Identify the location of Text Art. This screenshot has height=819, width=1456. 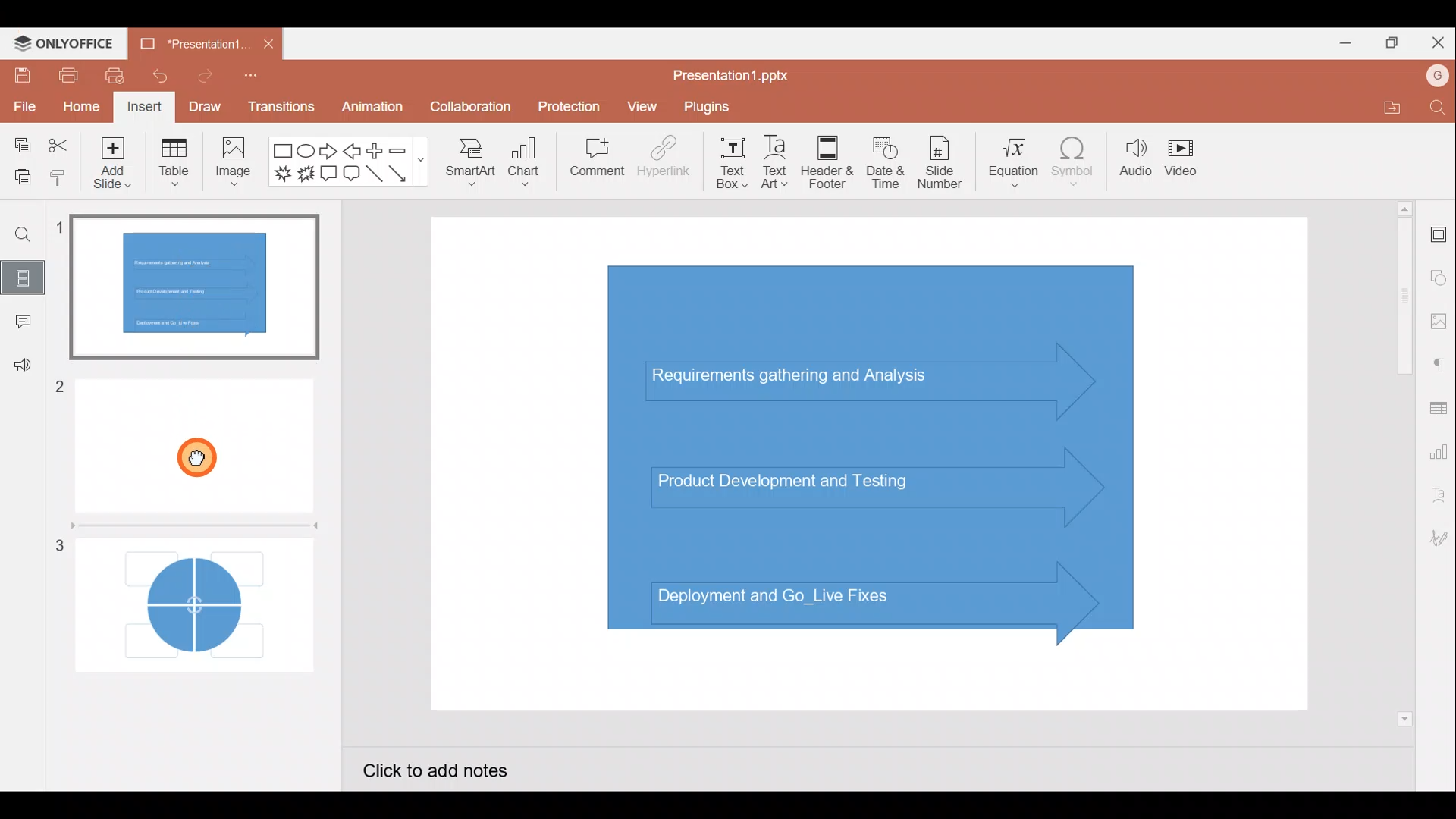
(780, 163).